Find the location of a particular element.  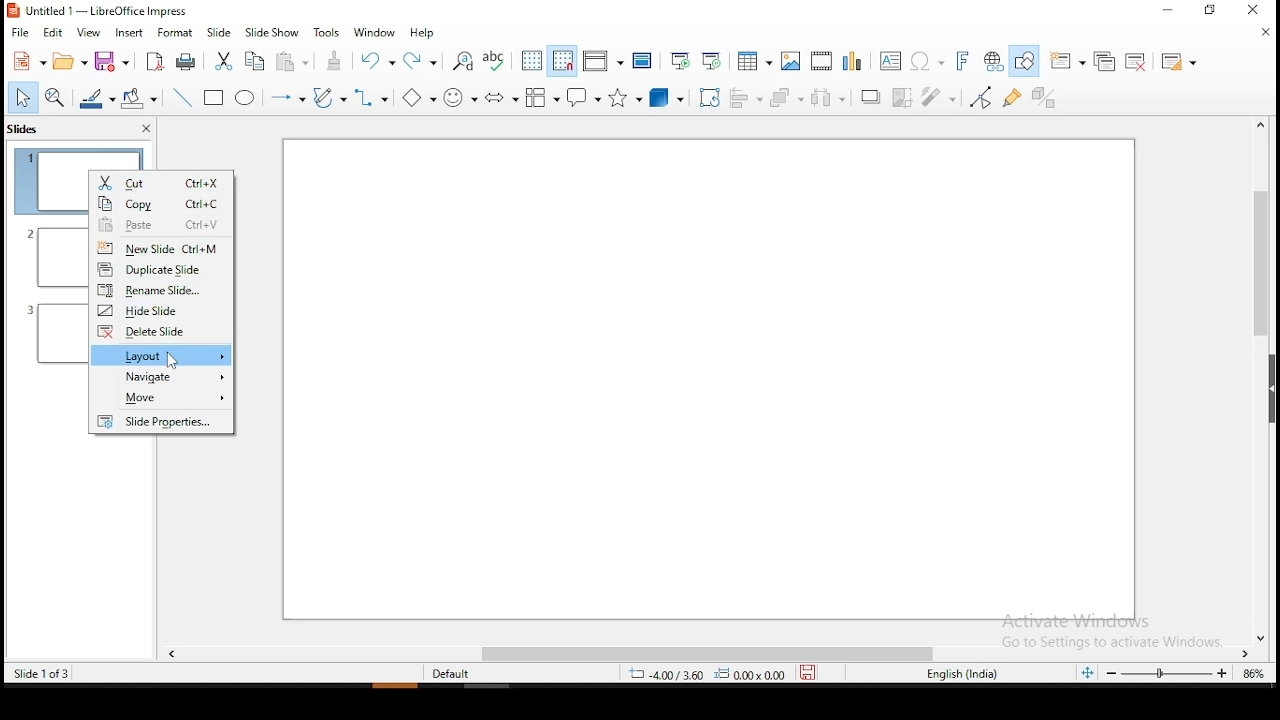

navigate is located at coordinates (164, 377).